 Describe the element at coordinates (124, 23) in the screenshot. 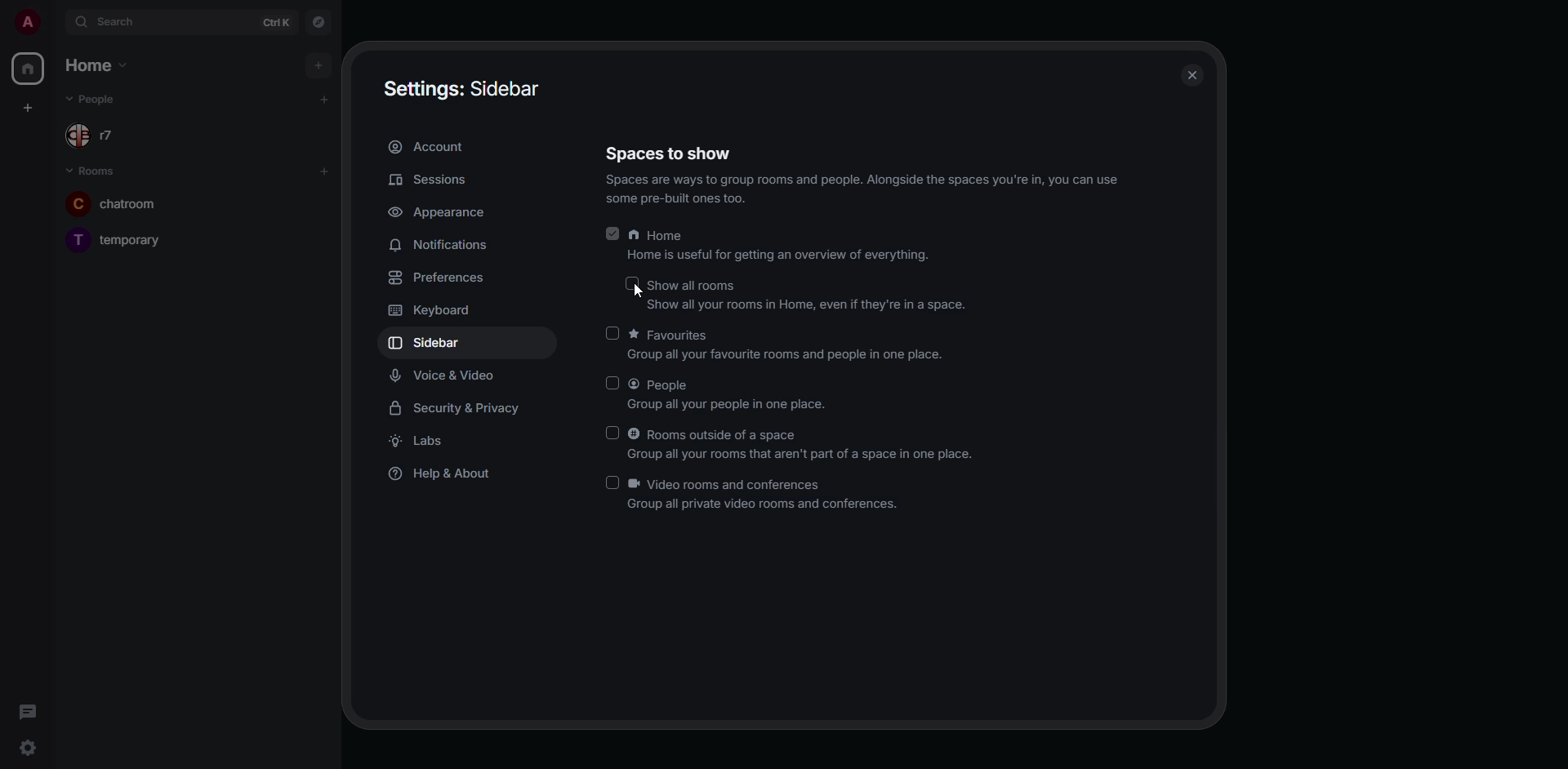

I see `search` at that location.